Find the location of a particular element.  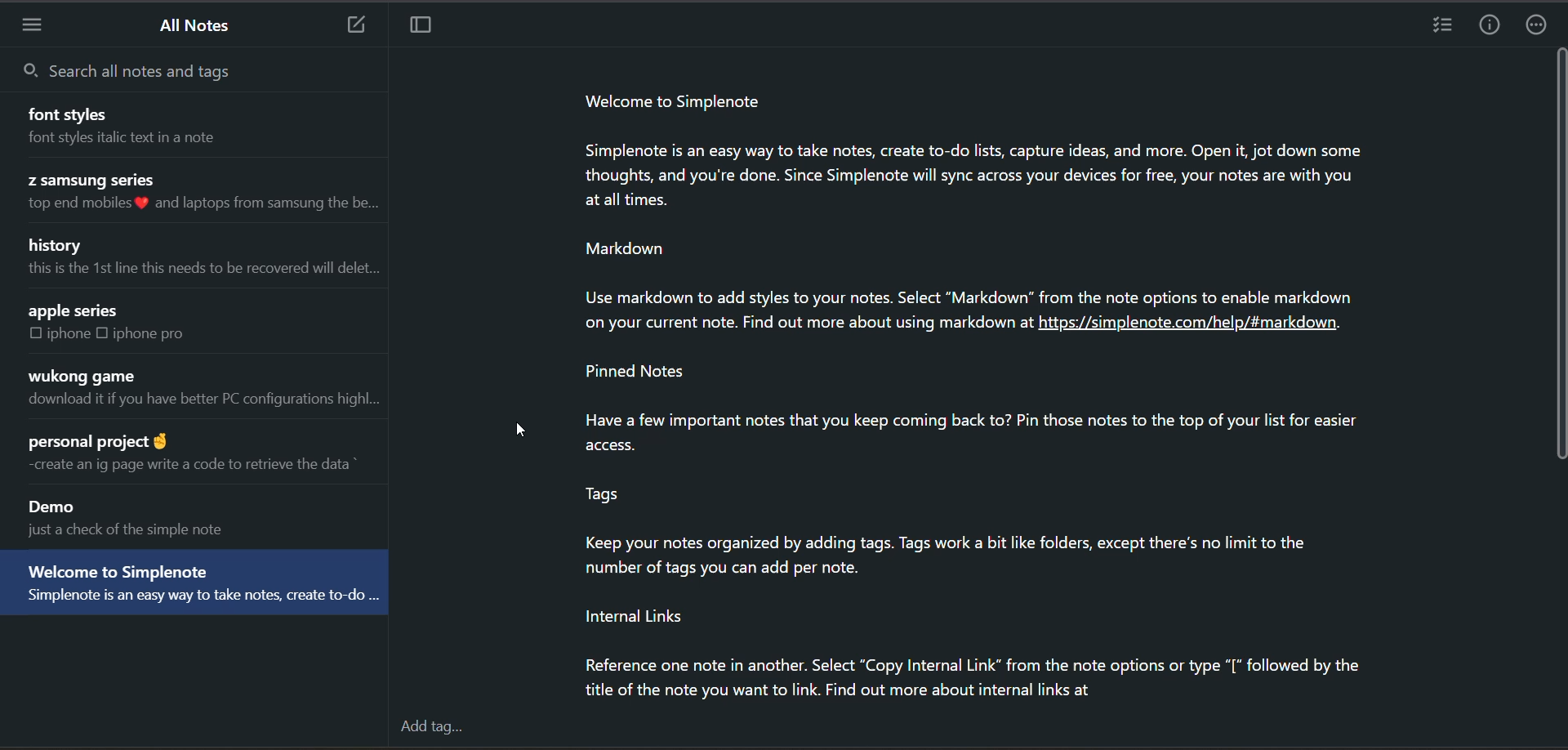

add tag is located at coordinates (434, 728).